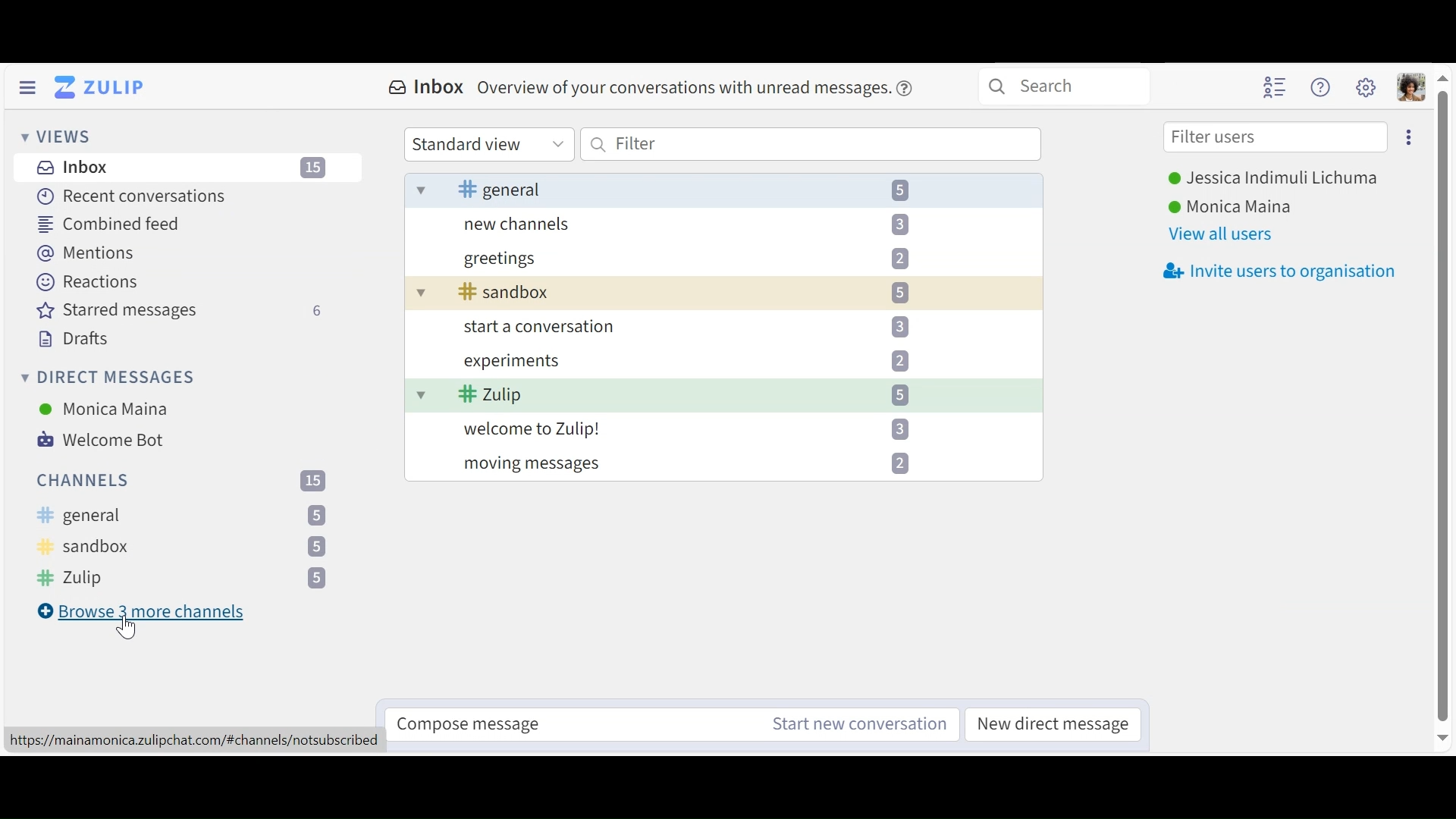 This screenshot has width=1456, height=819. What do you see at coordinates (907, 88) in the screenshot?
I see `help` at bounding box center [907, 88].